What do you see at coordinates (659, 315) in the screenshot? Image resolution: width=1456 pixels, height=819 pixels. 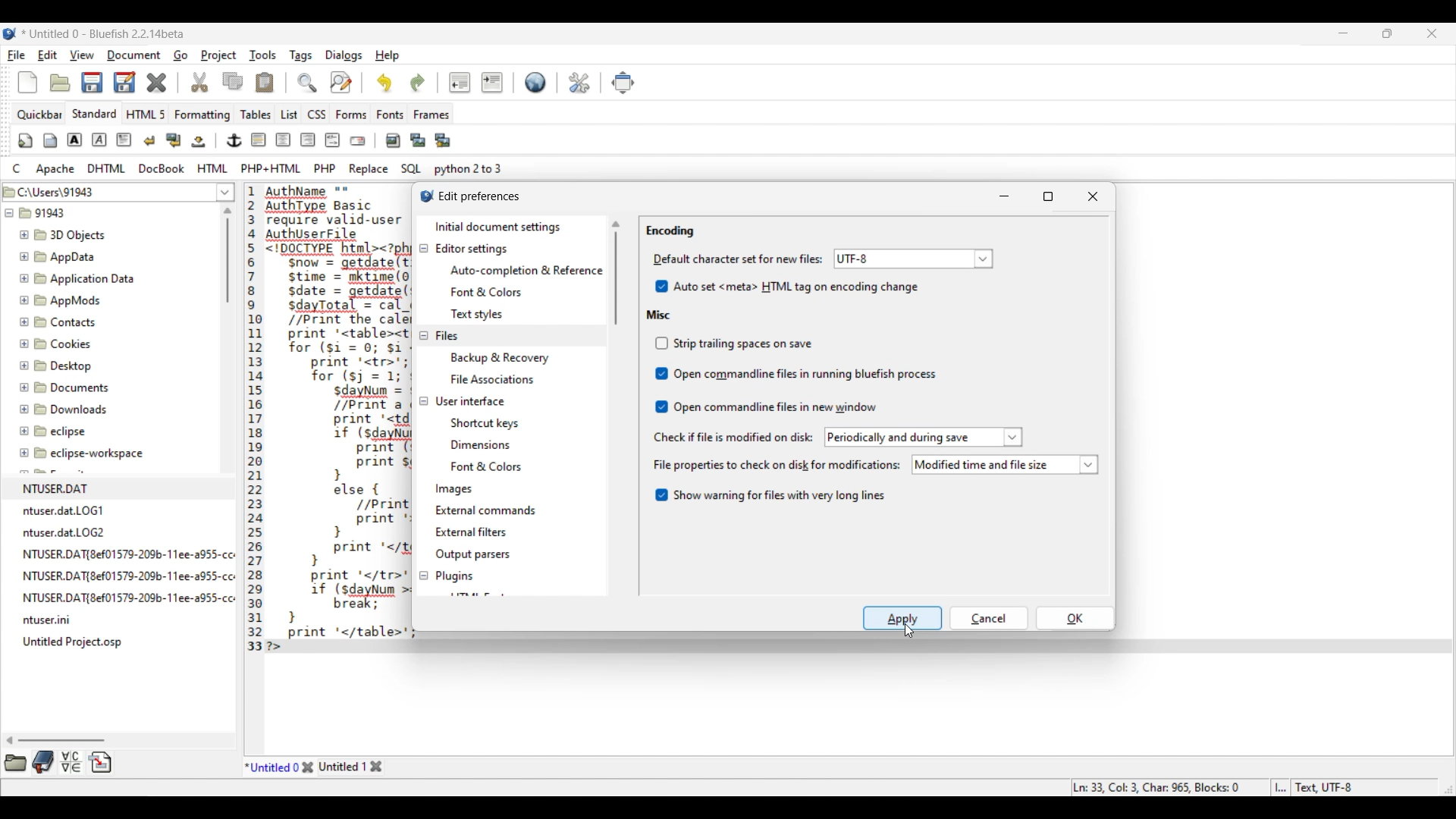 I see `Misc section` at bounding box center [659, 315].